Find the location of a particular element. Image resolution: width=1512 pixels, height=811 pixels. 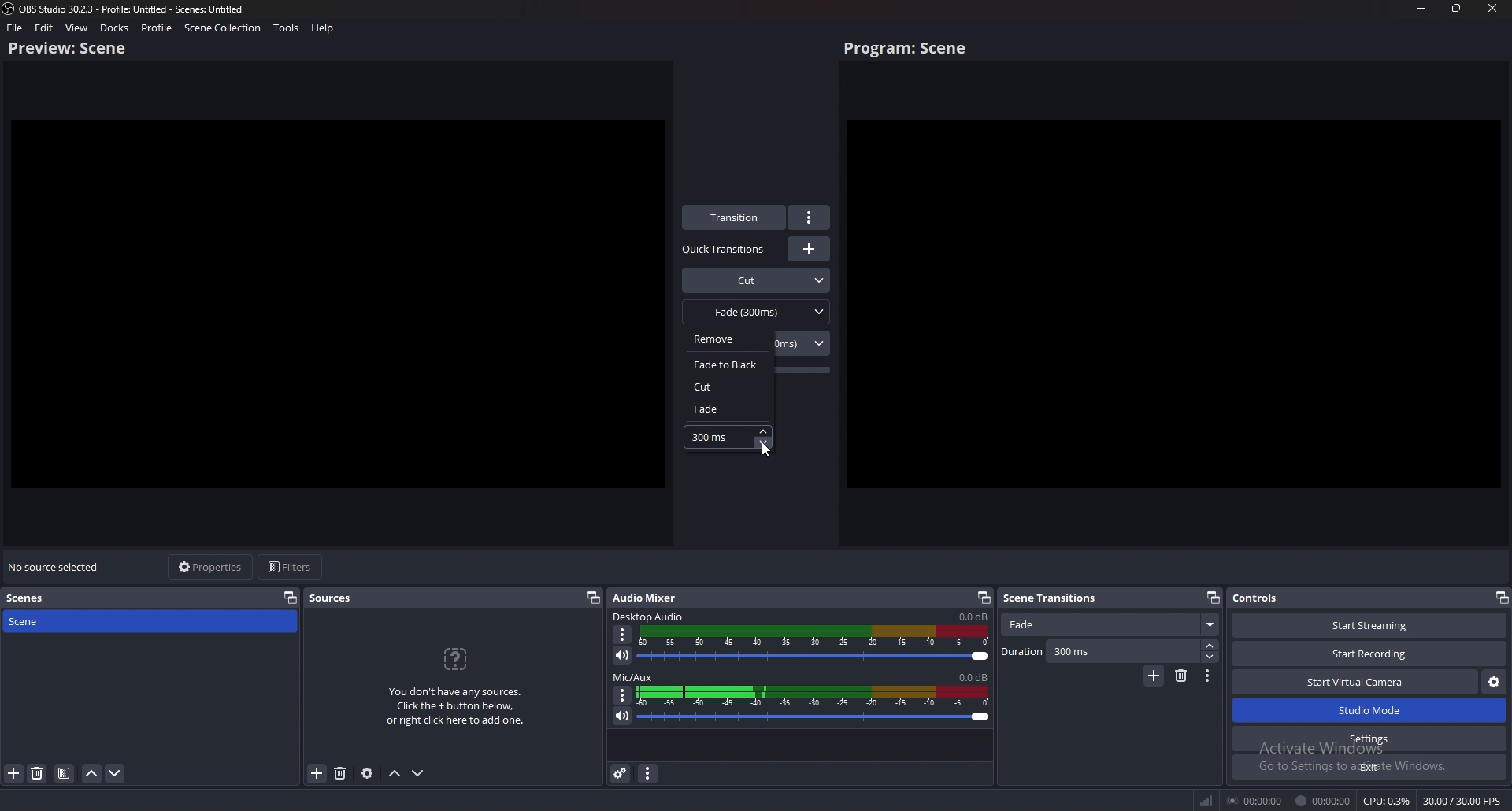

fade is located at coordinates (725, 408).